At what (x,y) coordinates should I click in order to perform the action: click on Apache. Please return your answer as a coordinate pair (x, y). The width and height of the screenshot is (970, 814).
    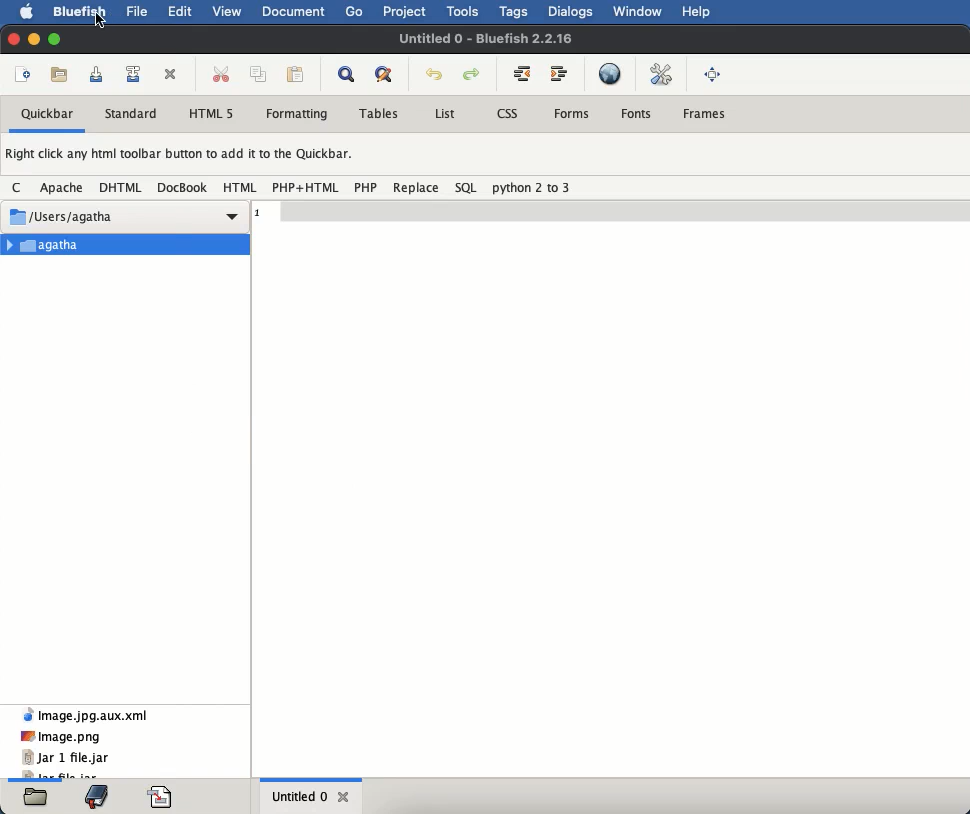
    Looking at the image, I should click on (64, 188).